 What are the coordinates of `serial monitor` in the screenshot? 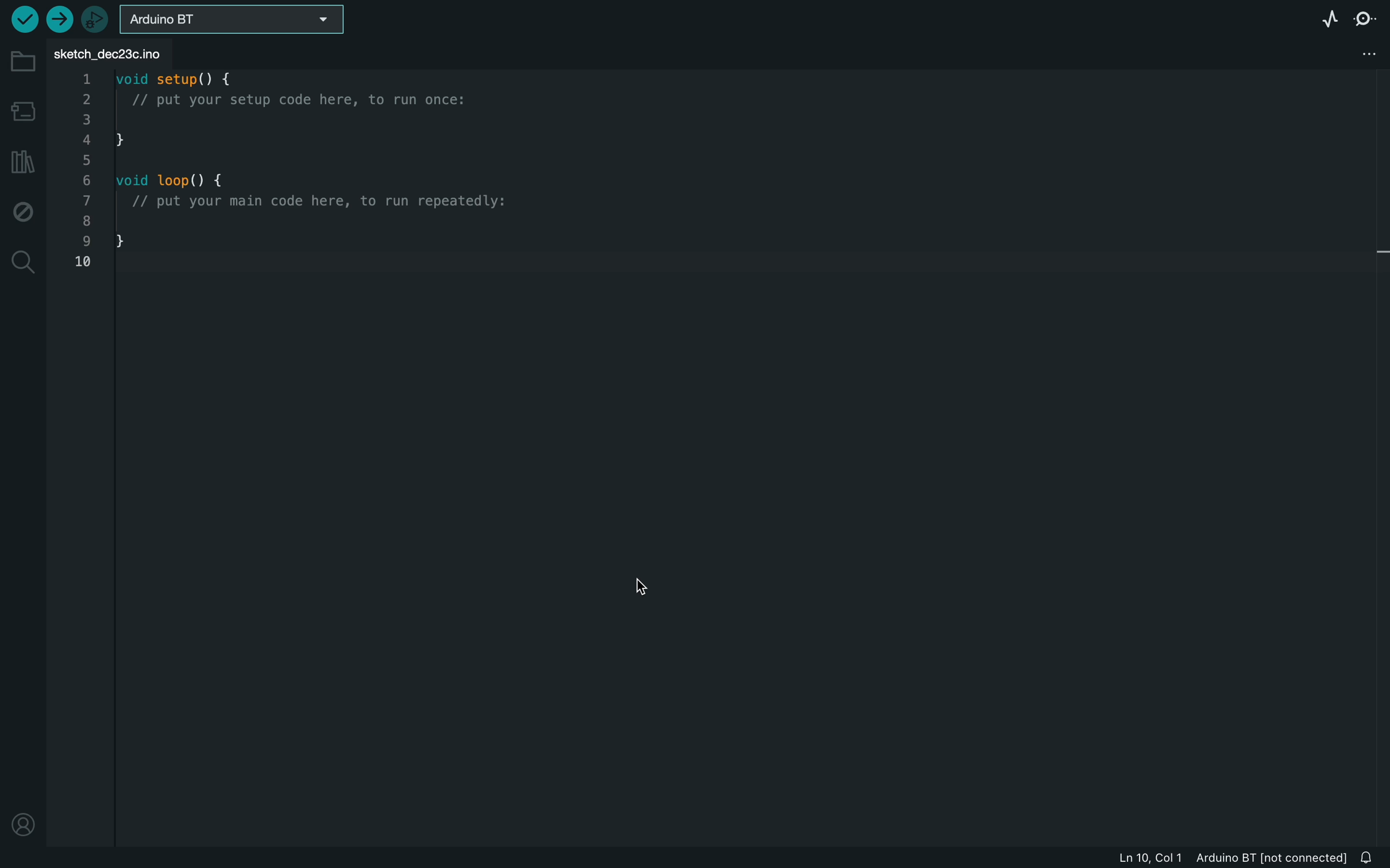 It's located at (1364, 21).